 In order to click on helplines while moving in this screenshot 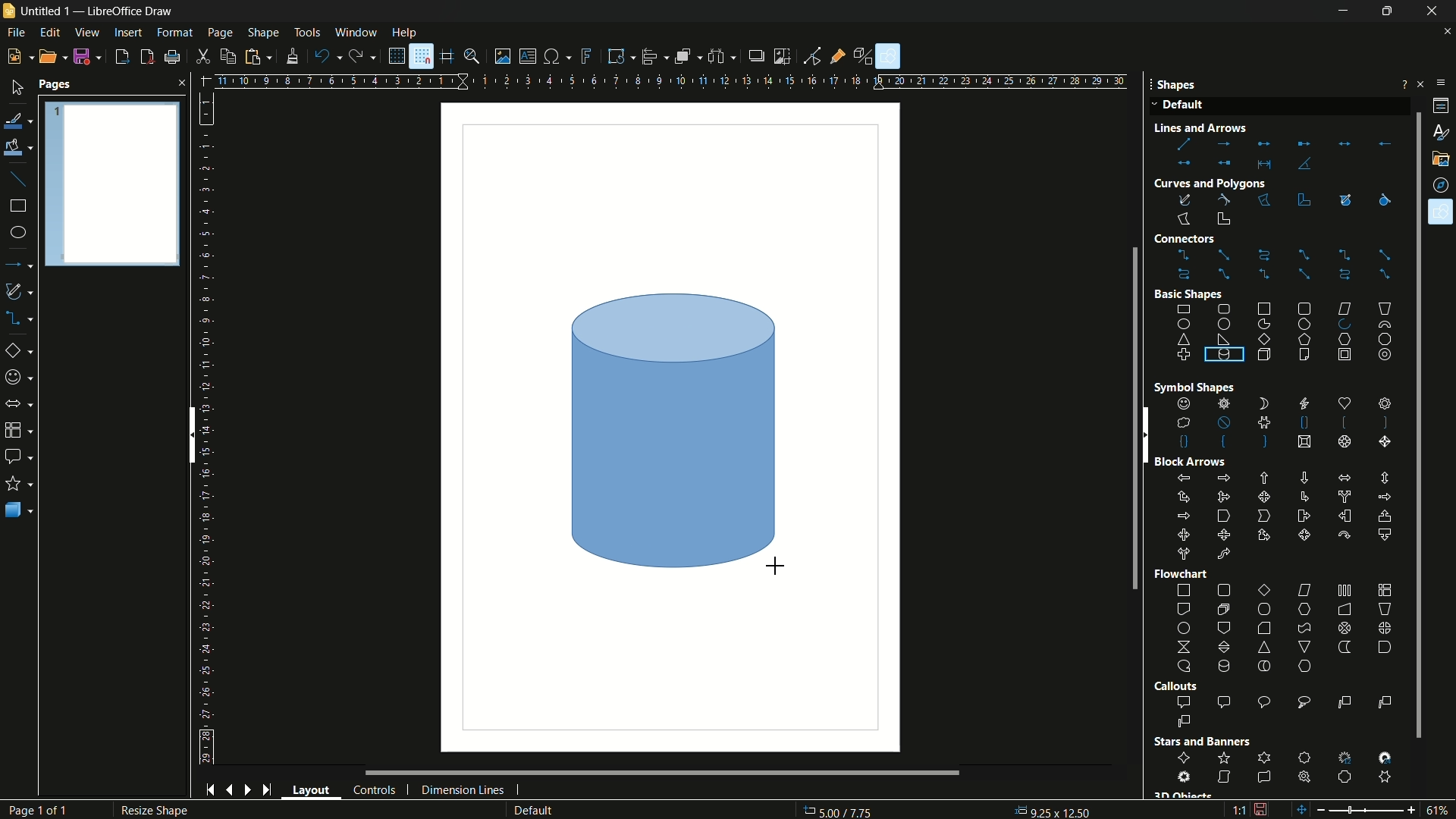, I will do `click(447, 58)`.